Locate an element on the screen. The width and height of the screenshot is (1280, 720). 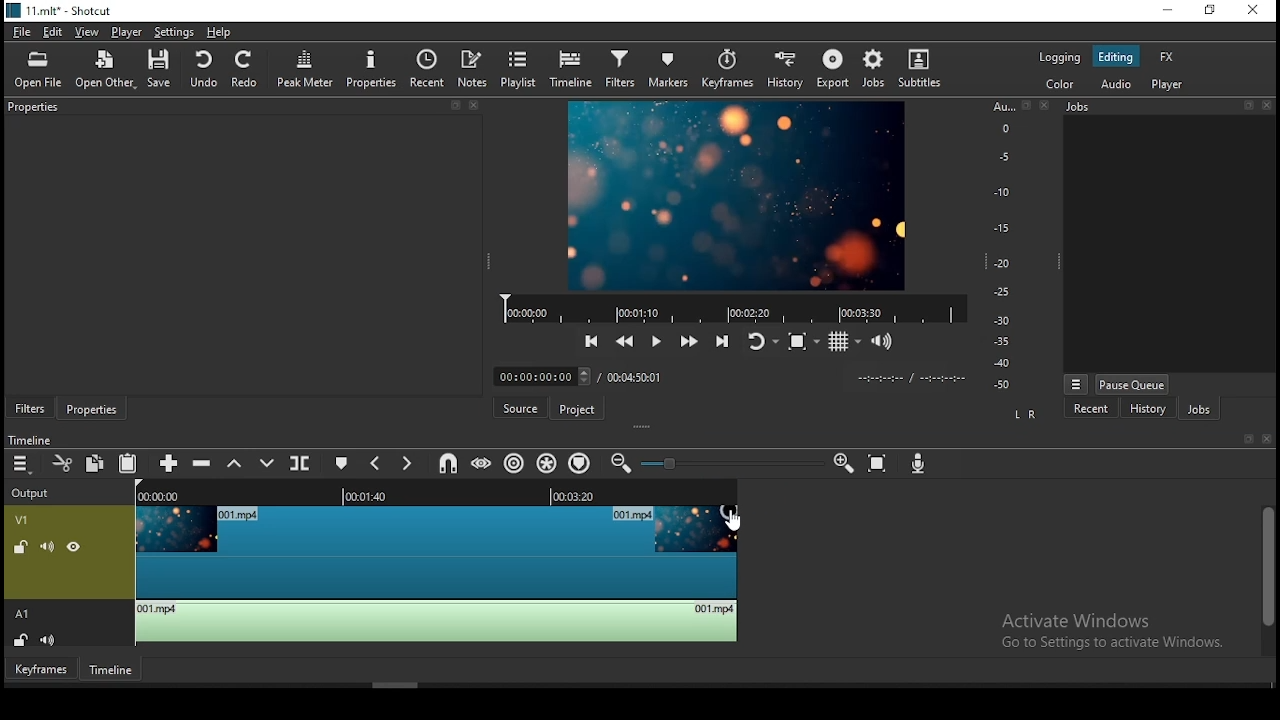
play quickly backwards is located at coordinates (624, 343).